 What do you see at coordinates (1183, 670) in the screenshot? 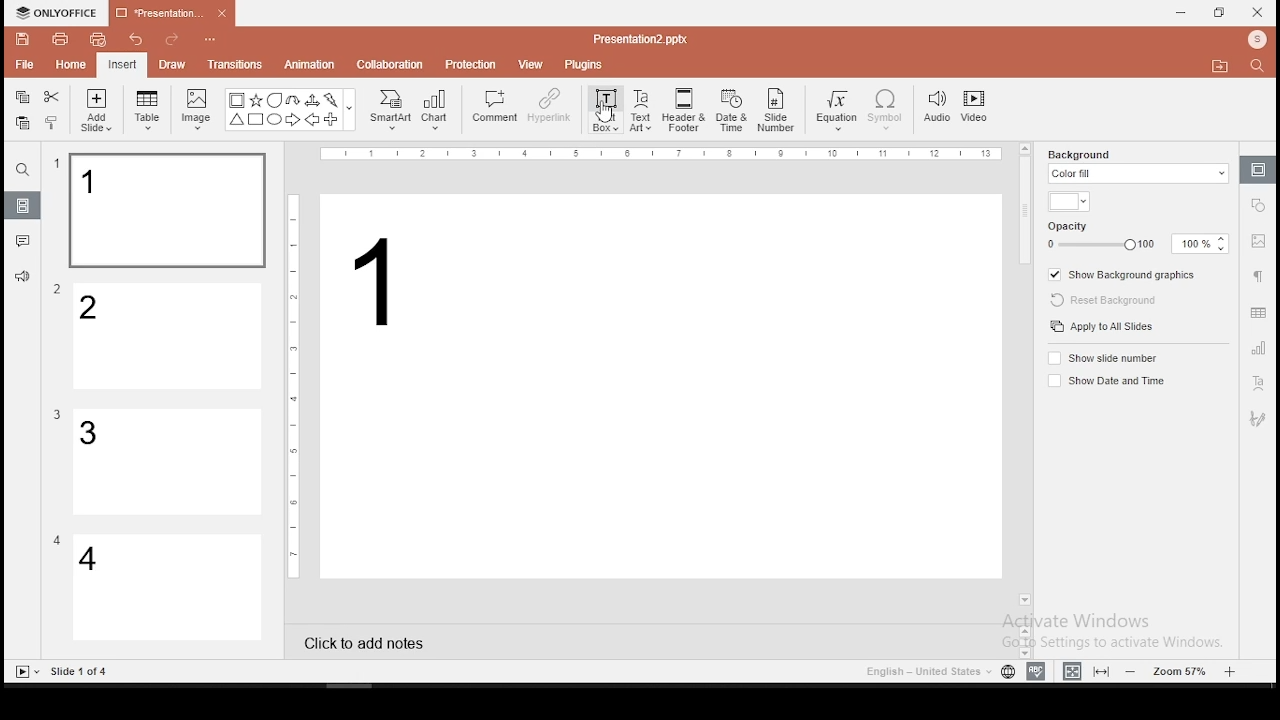
I see `zoom level` at bounding box center [1183, 670].